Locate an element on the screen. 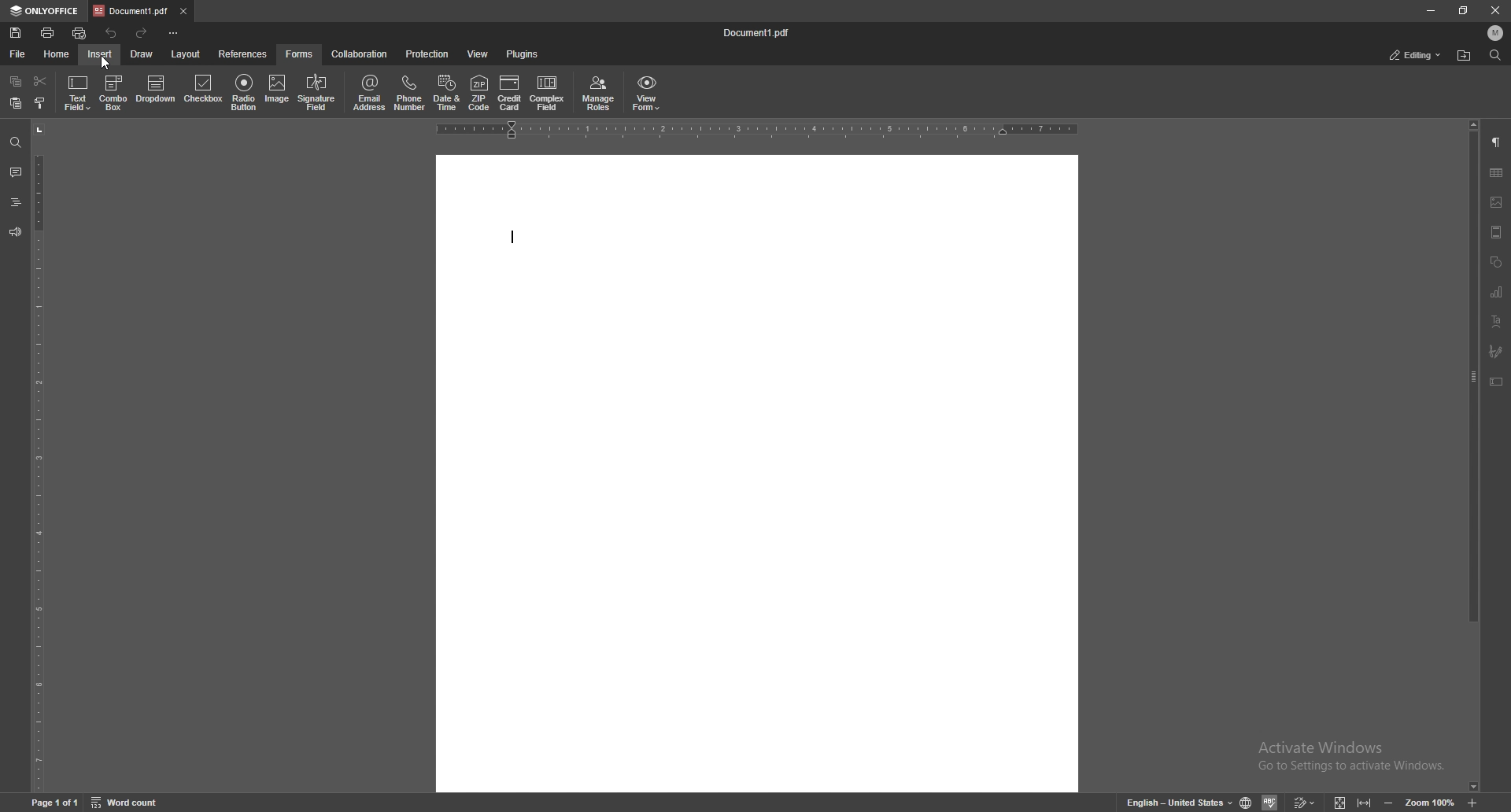 The height and width of the screenshot is (812, 1511). comment is located at coordinates (15, 172).